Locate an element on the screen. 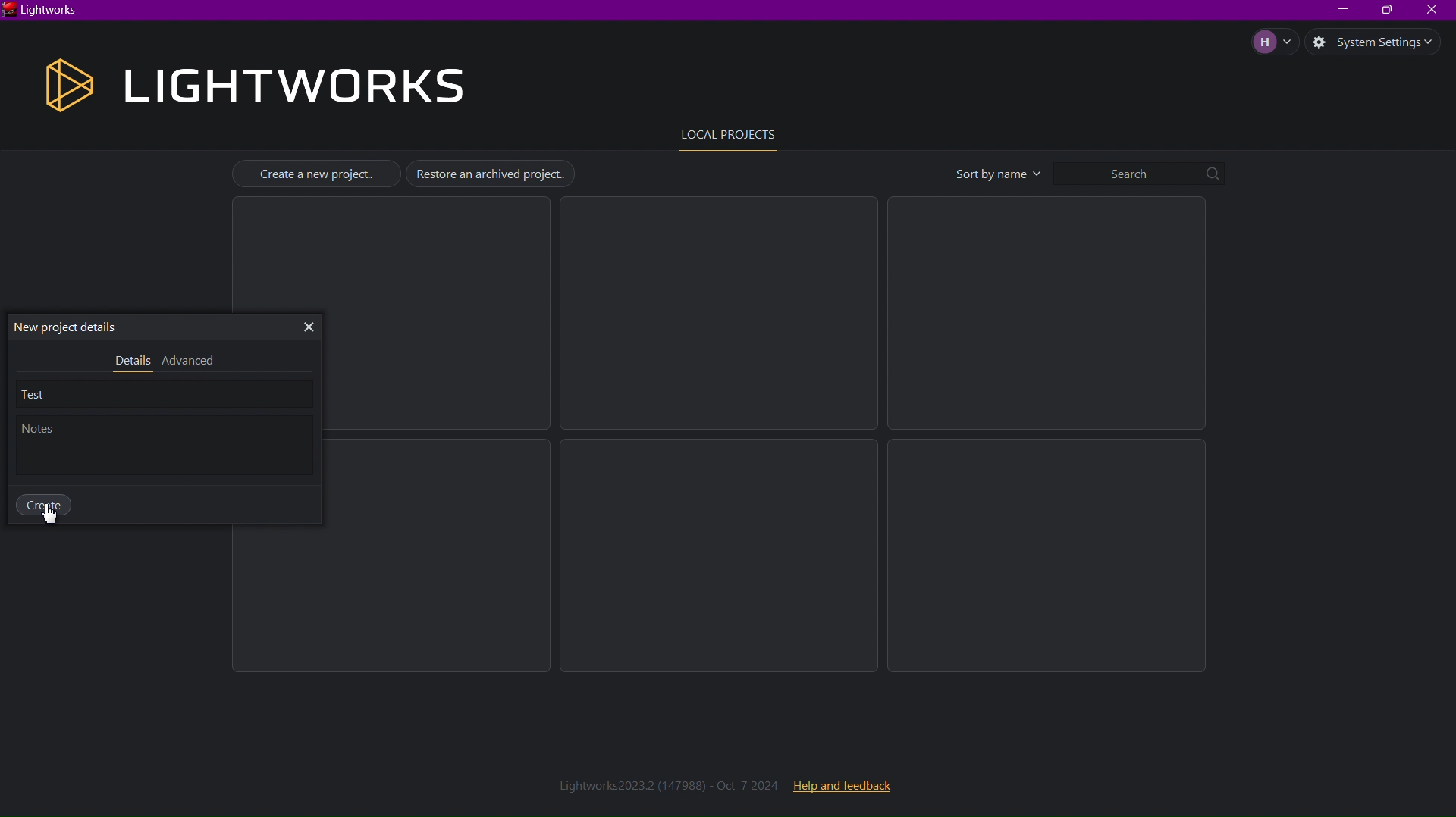 This screenshot has height=817, width=1456. Close is located at coordinates (1433, 11).